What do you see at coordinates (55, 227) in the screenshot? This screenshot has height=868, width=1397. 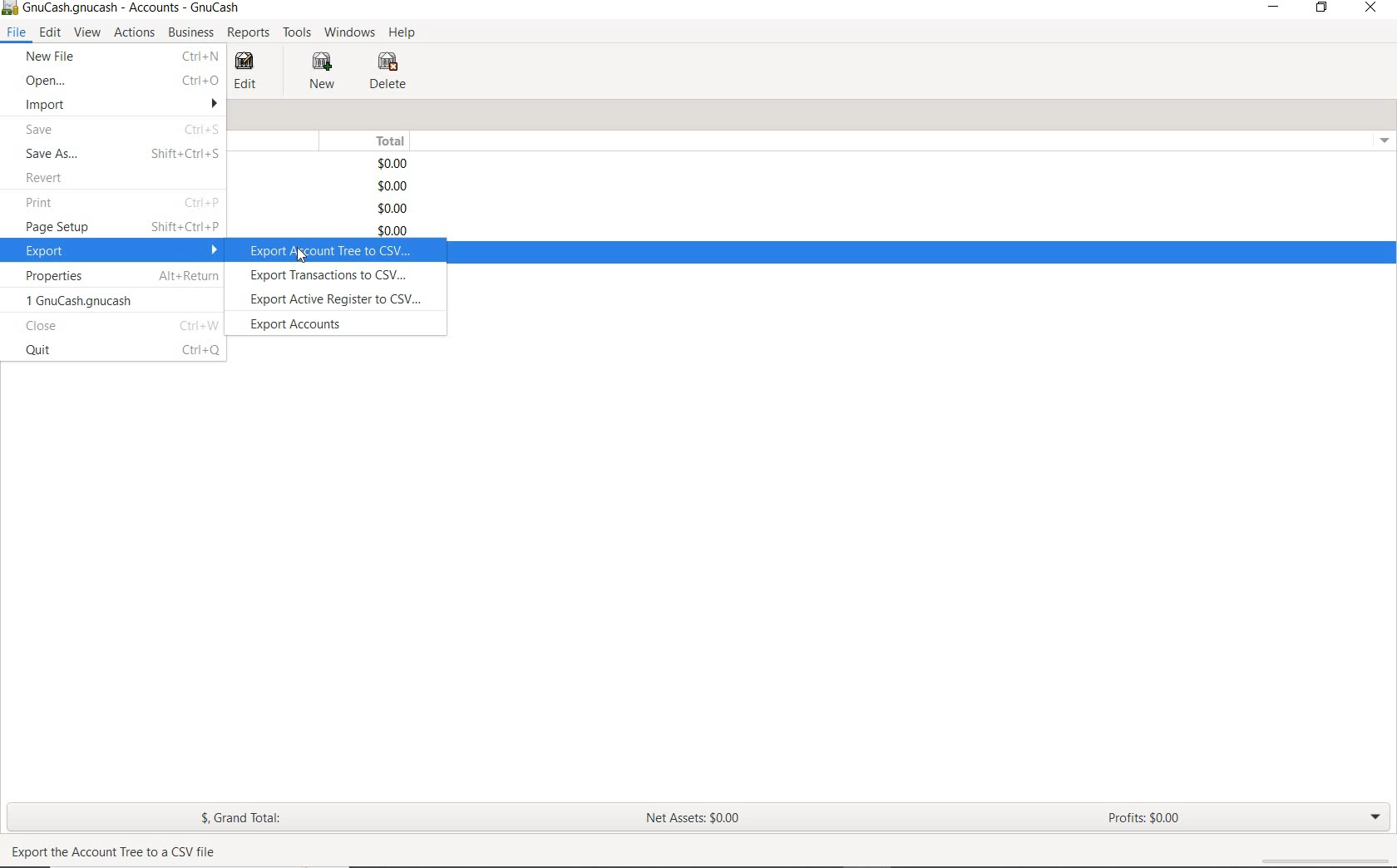 I see `PAGE SETUP` at bounding box center [55, 227].